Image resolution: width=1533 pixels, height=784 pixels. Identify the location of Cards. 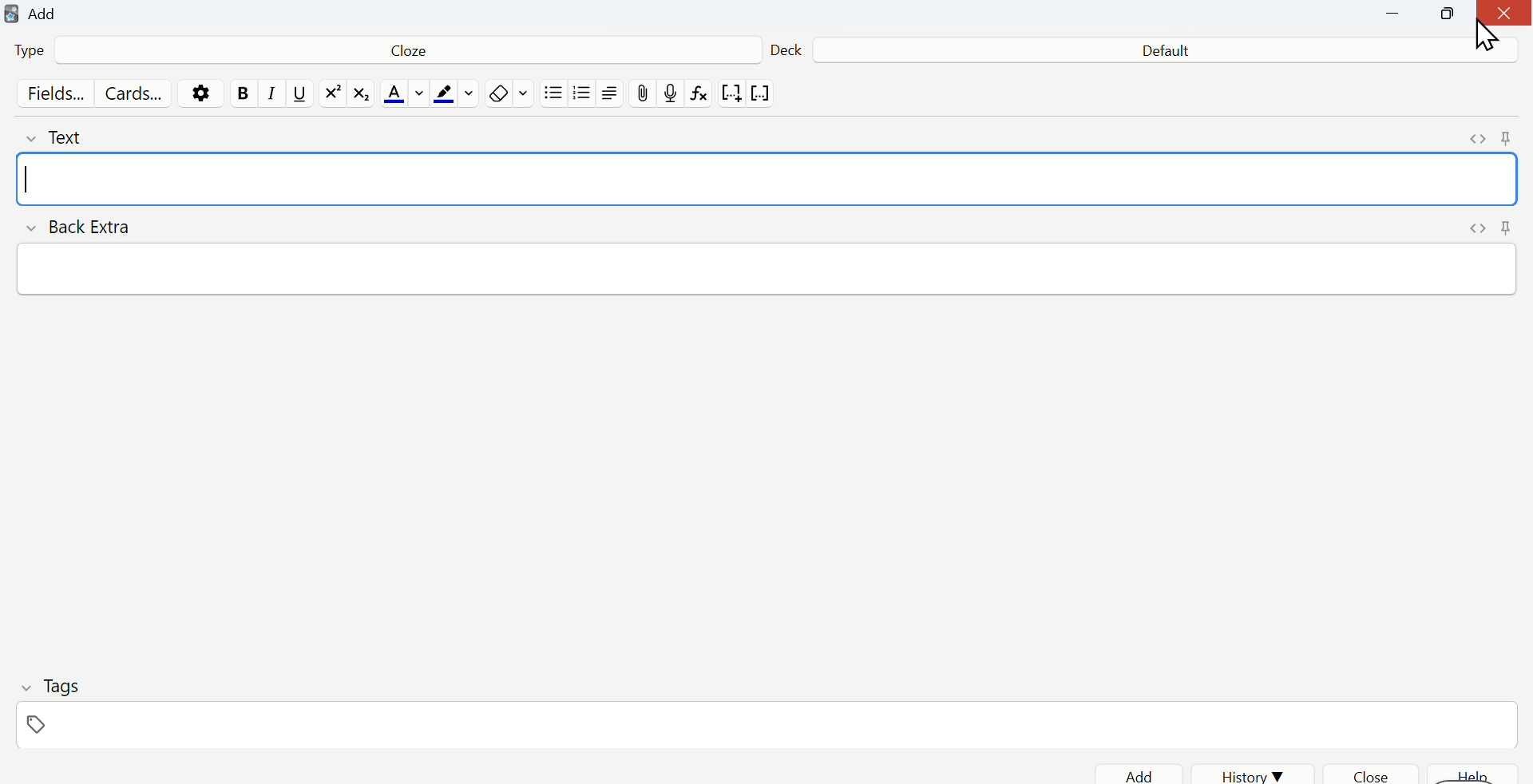
(135, 94).